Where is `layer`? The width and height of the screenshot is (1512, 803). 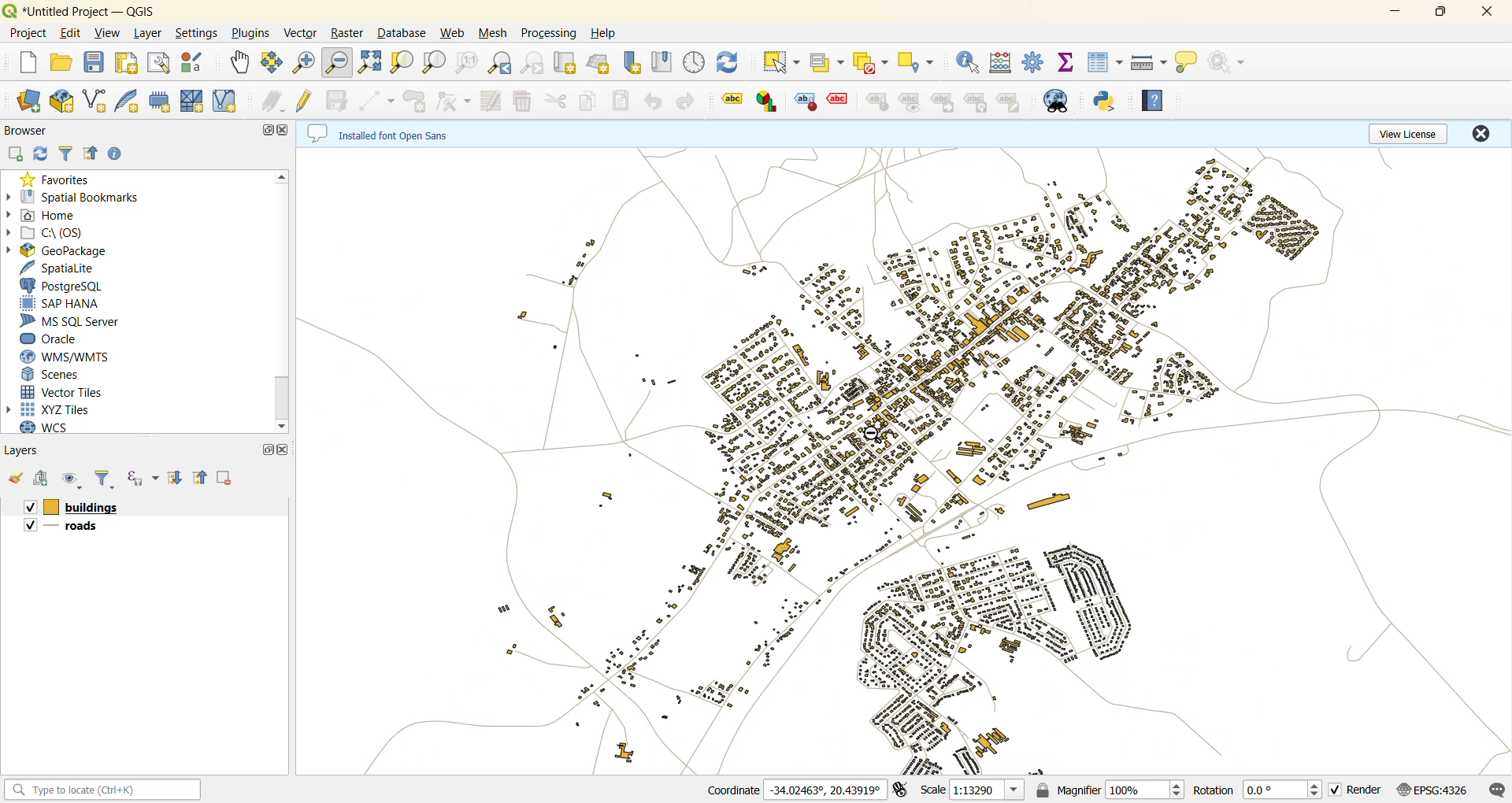
layer is located at coordinates (150, 33).